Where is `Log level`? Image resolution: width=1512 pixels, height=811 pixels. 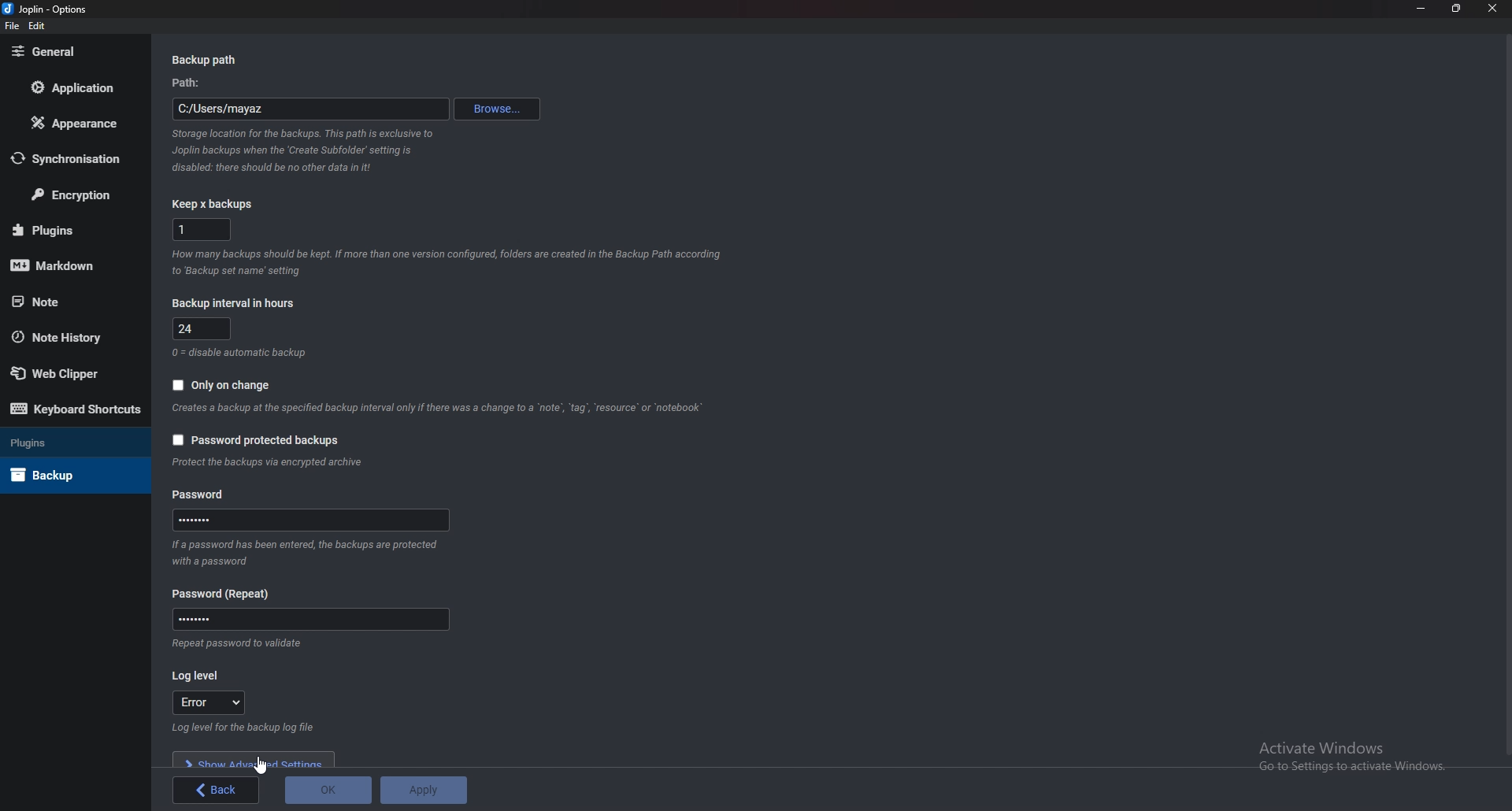 Log level is located at coordinates (198, 676).